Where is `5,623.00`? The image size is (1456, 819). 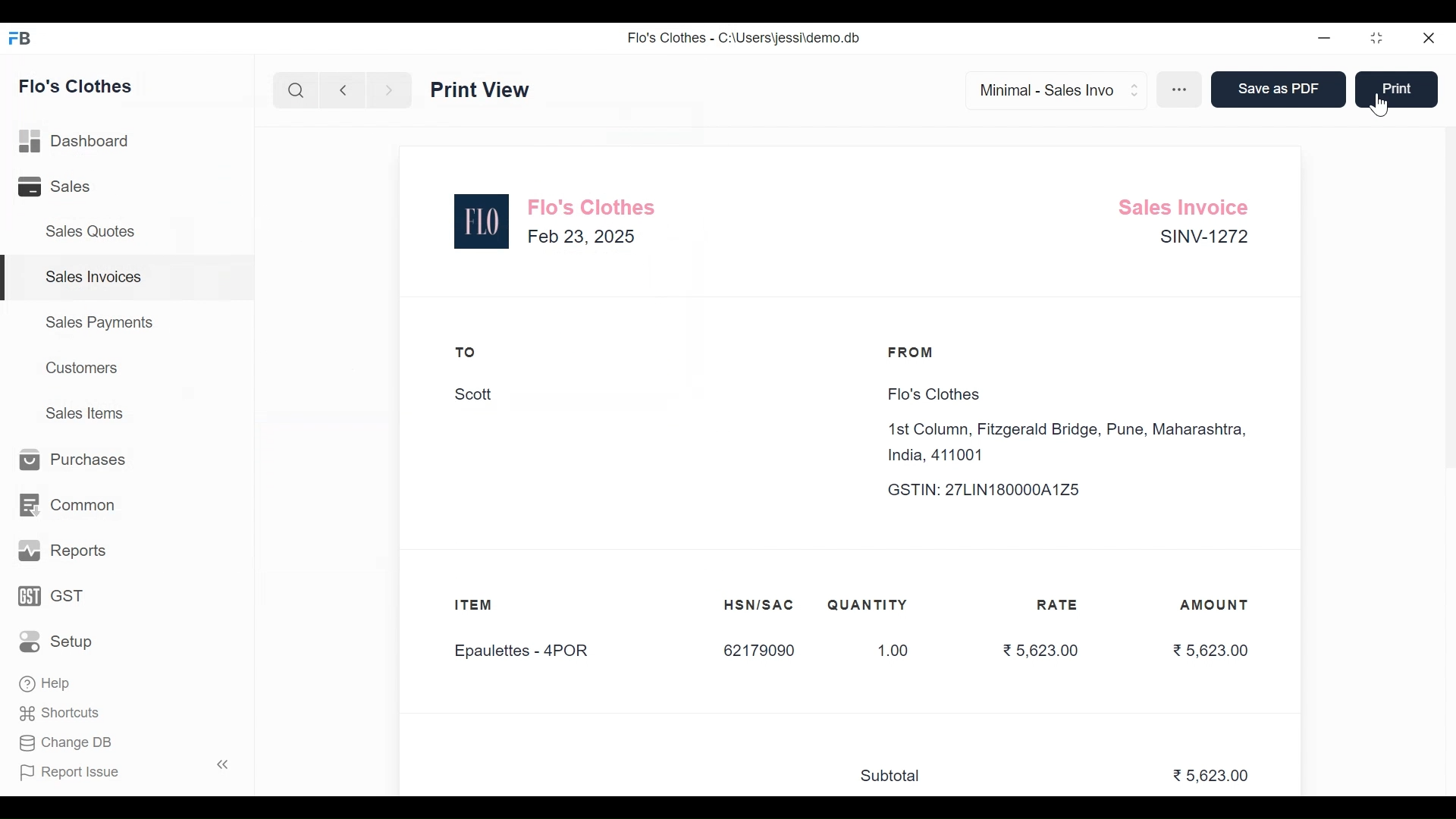 5,623.00 is located at coordinates (1213, 777).